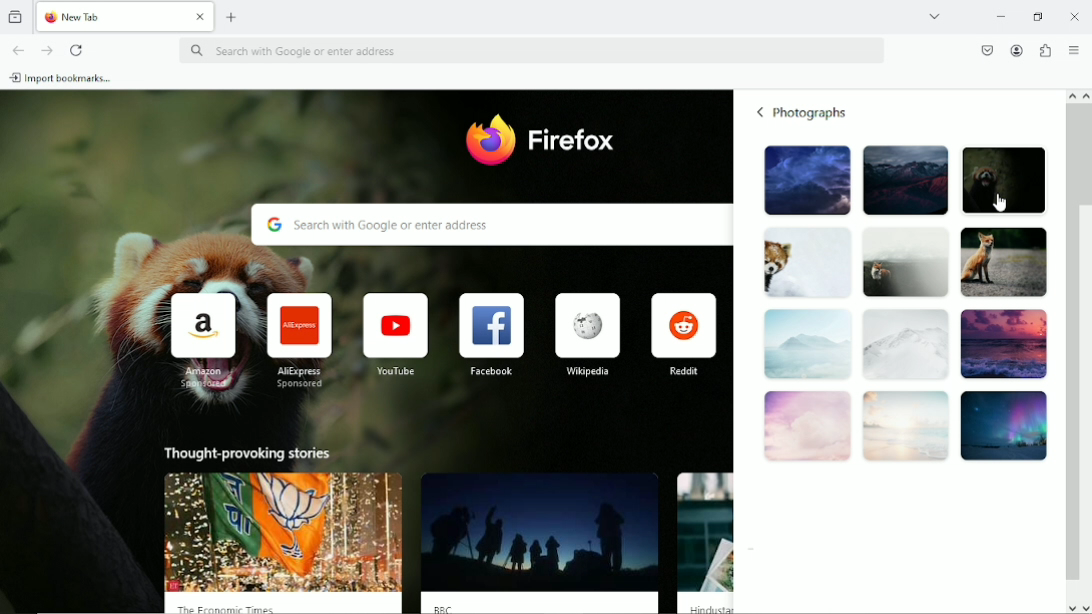  I want to click on Youtube, so click(393, 333).